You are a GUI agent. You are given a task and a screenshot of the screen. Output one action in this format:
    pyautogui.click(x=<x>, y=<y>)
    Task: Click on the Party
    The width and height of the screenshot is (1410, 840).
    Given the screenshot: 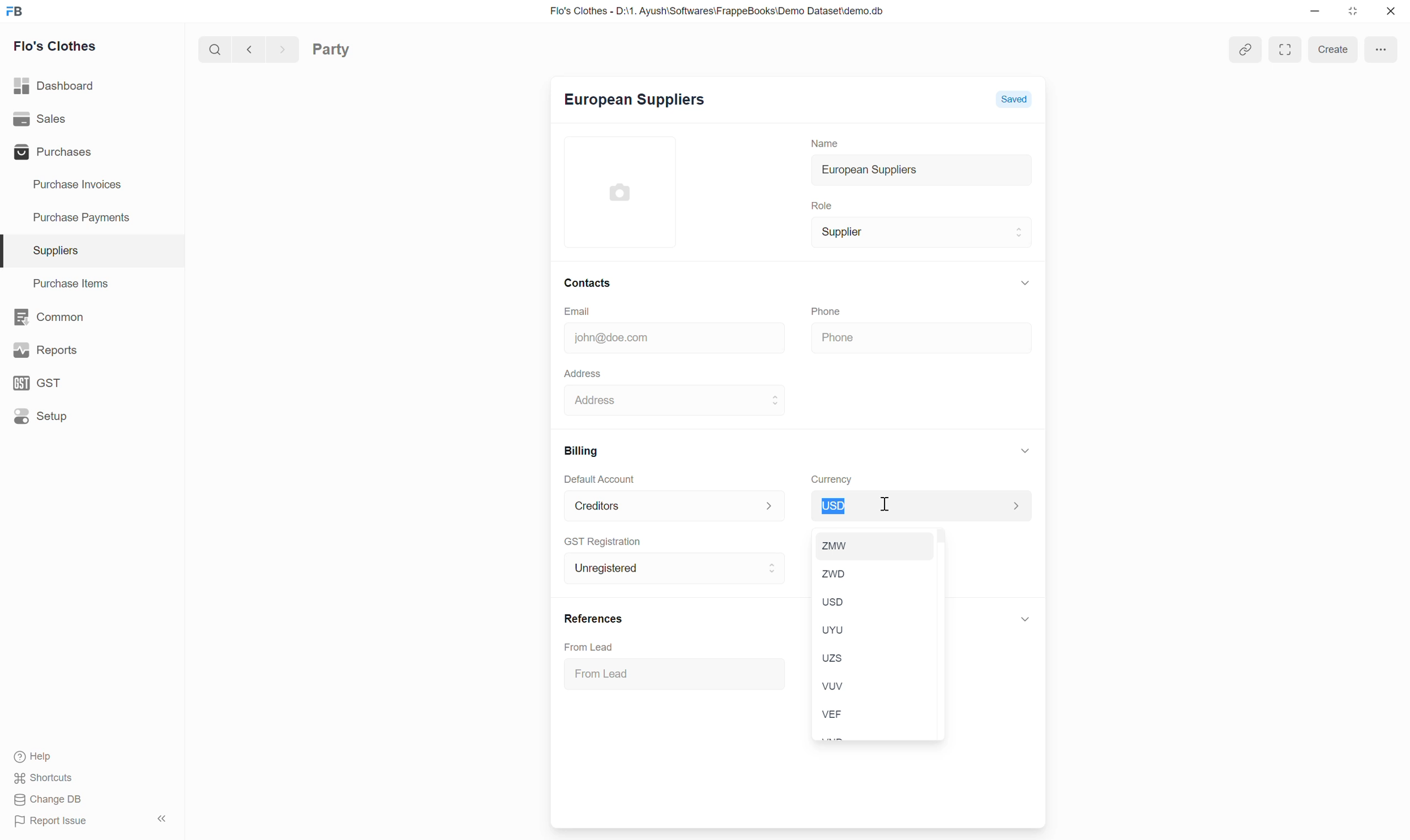 What is the action you would take?
    pyautogui.click(x=350, y=48)
    